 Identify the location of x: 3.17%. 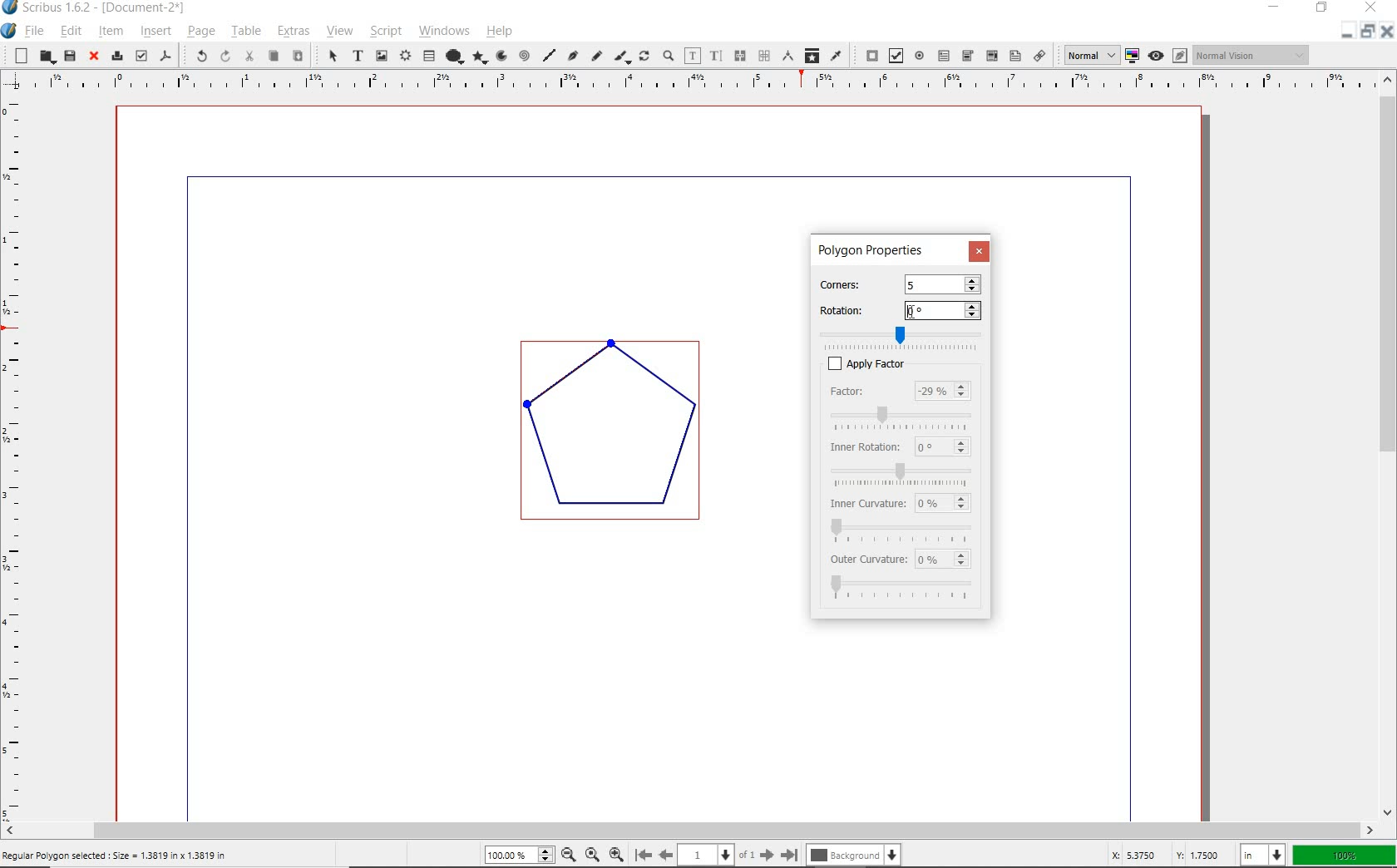
(1130, 855).